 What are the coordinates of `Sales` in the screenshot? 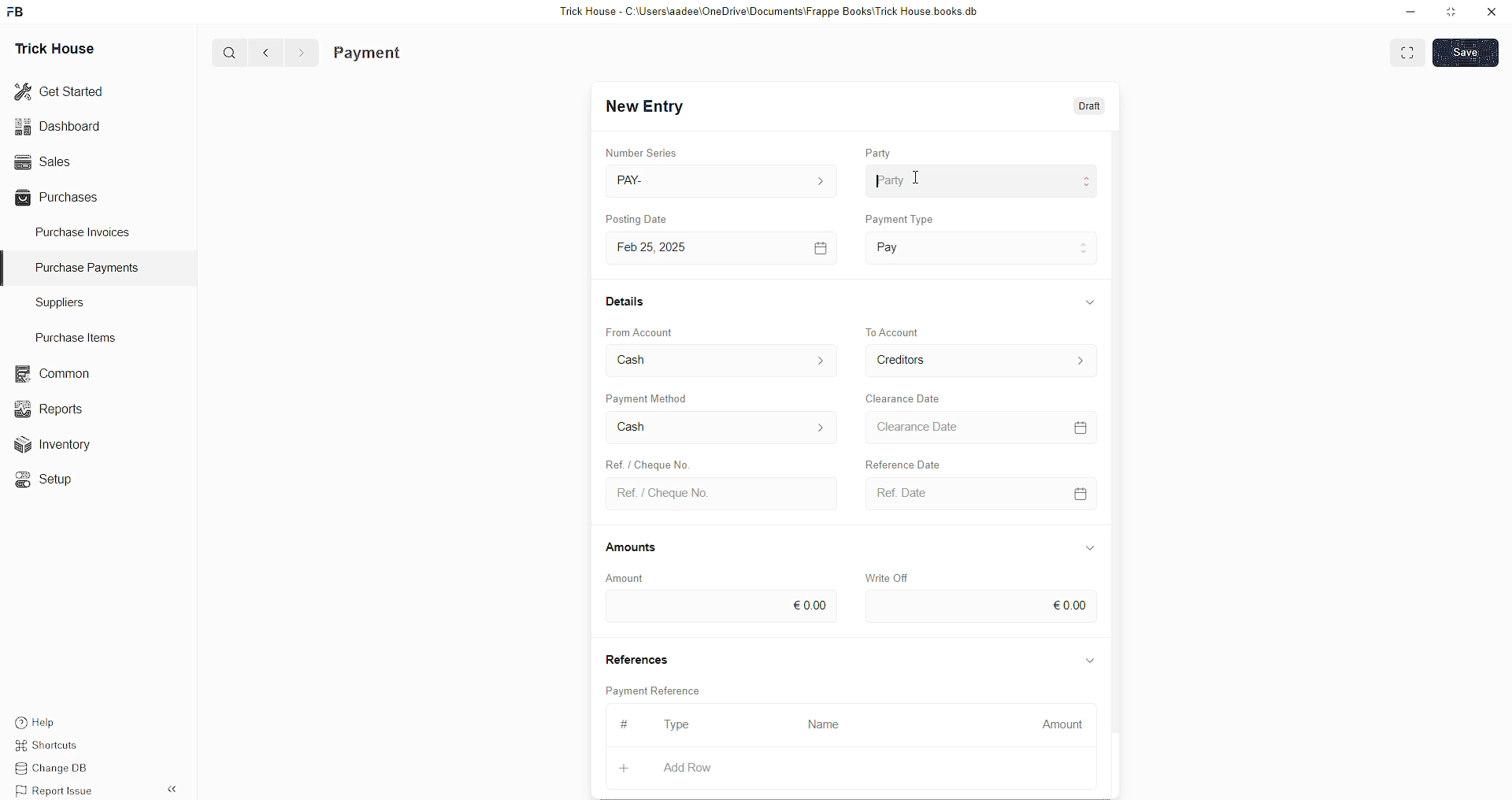 It's located at (41, 160).